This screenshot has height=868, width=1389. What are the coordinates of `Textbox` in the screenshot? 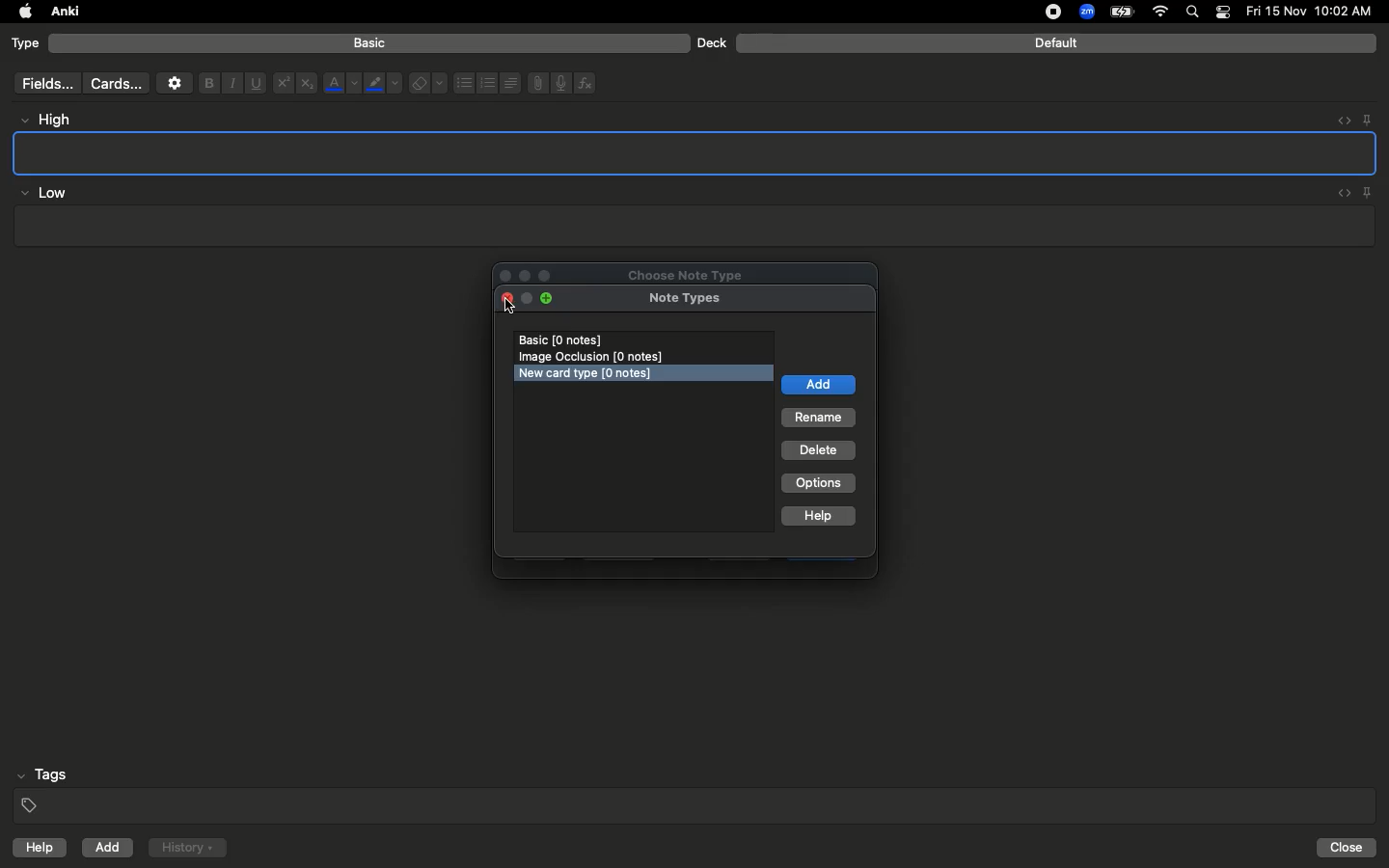 It's located at (696, 152).